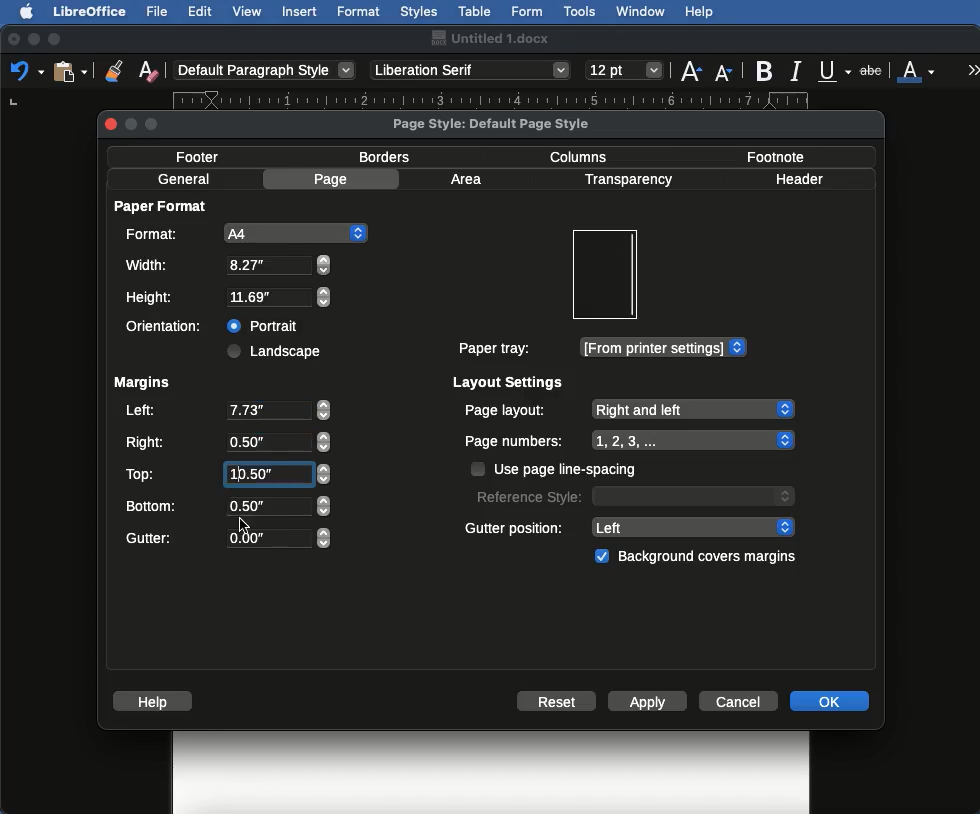 This screenshot has width=980, height=814. Describe the element at coordinates (226, 412) in the screenshot. I see `Left` at that location.